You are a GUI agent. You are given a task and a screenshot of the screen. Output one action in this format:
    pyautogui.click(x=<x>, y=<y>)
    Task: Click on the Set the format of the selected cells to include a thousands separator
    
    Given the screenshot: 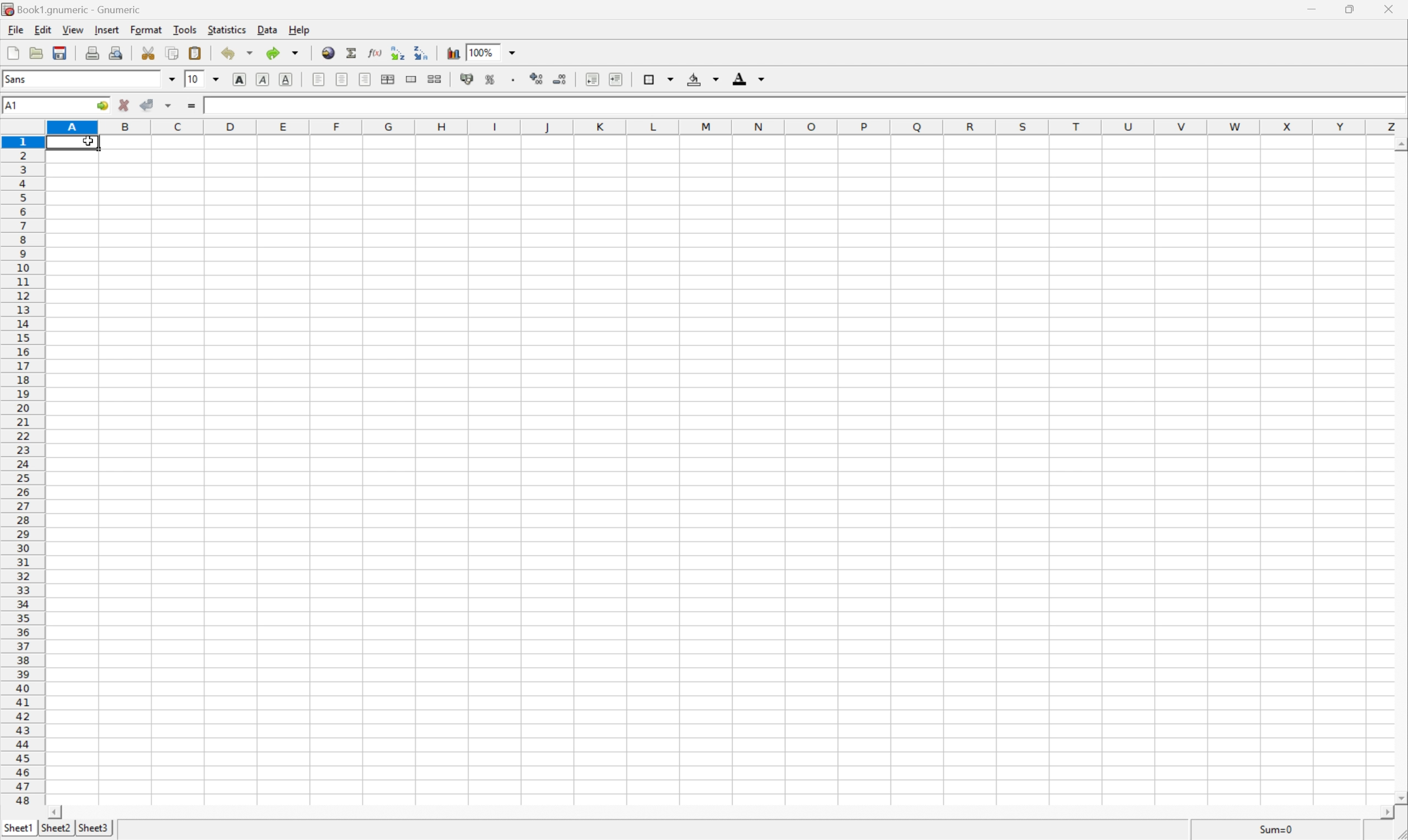 What is the action you would take?
    pyautogui.click(x=511, y=79)
    